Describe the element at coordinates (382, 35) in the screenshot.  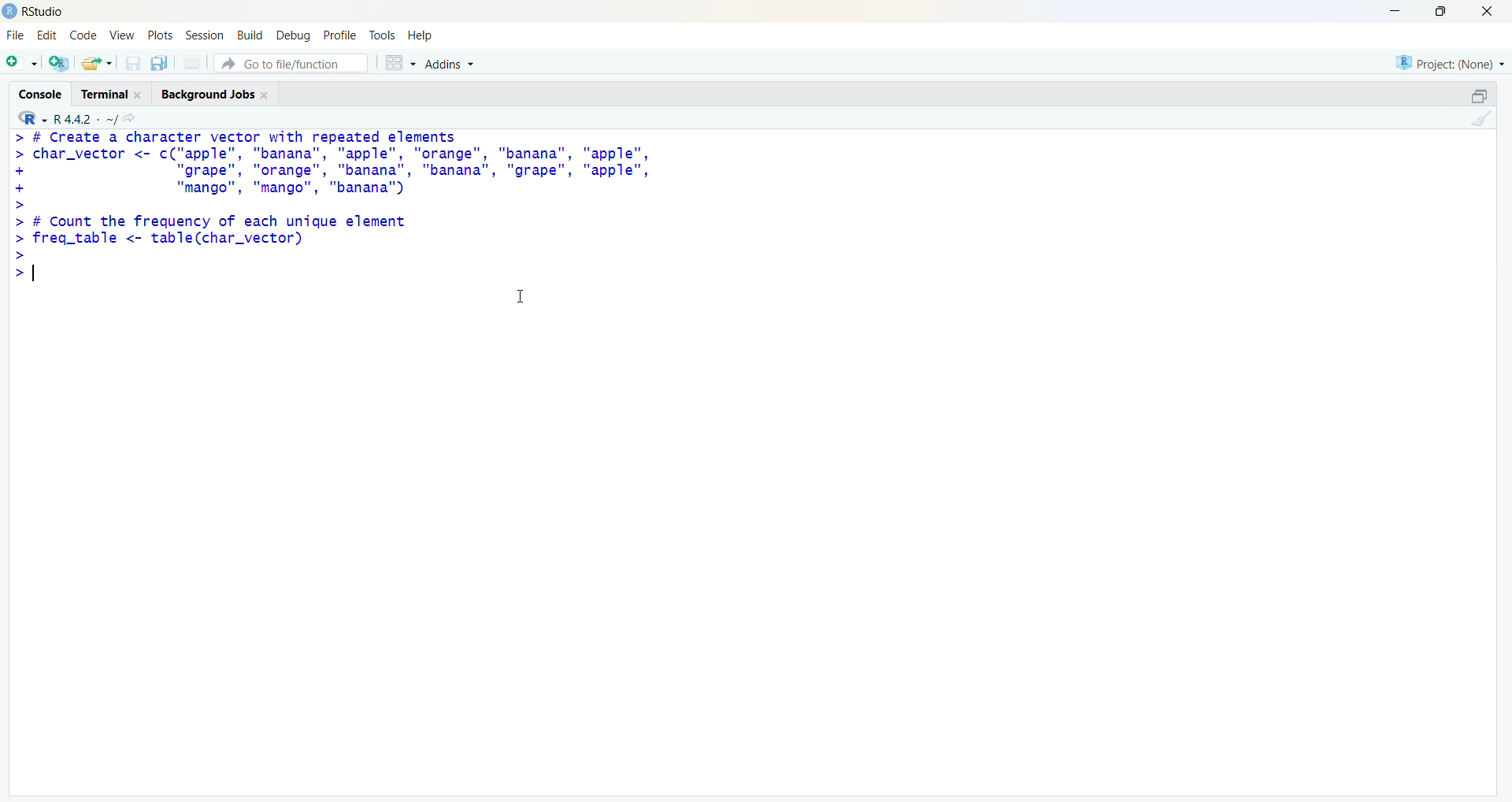
I see `Tools` at that location.